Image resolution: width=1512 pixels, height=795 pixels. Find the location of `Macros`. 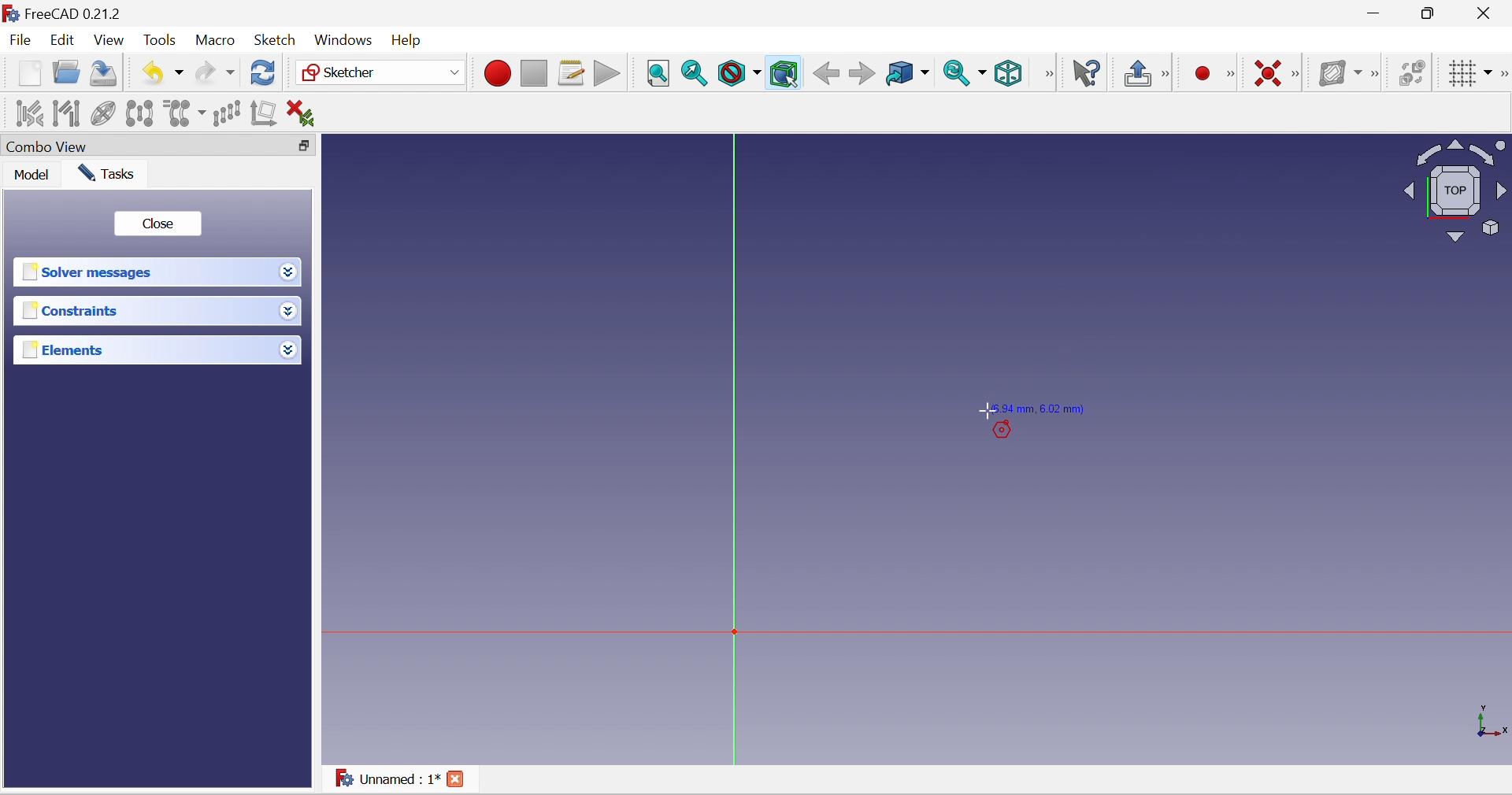

Macros is located at coordinates (572, 74).